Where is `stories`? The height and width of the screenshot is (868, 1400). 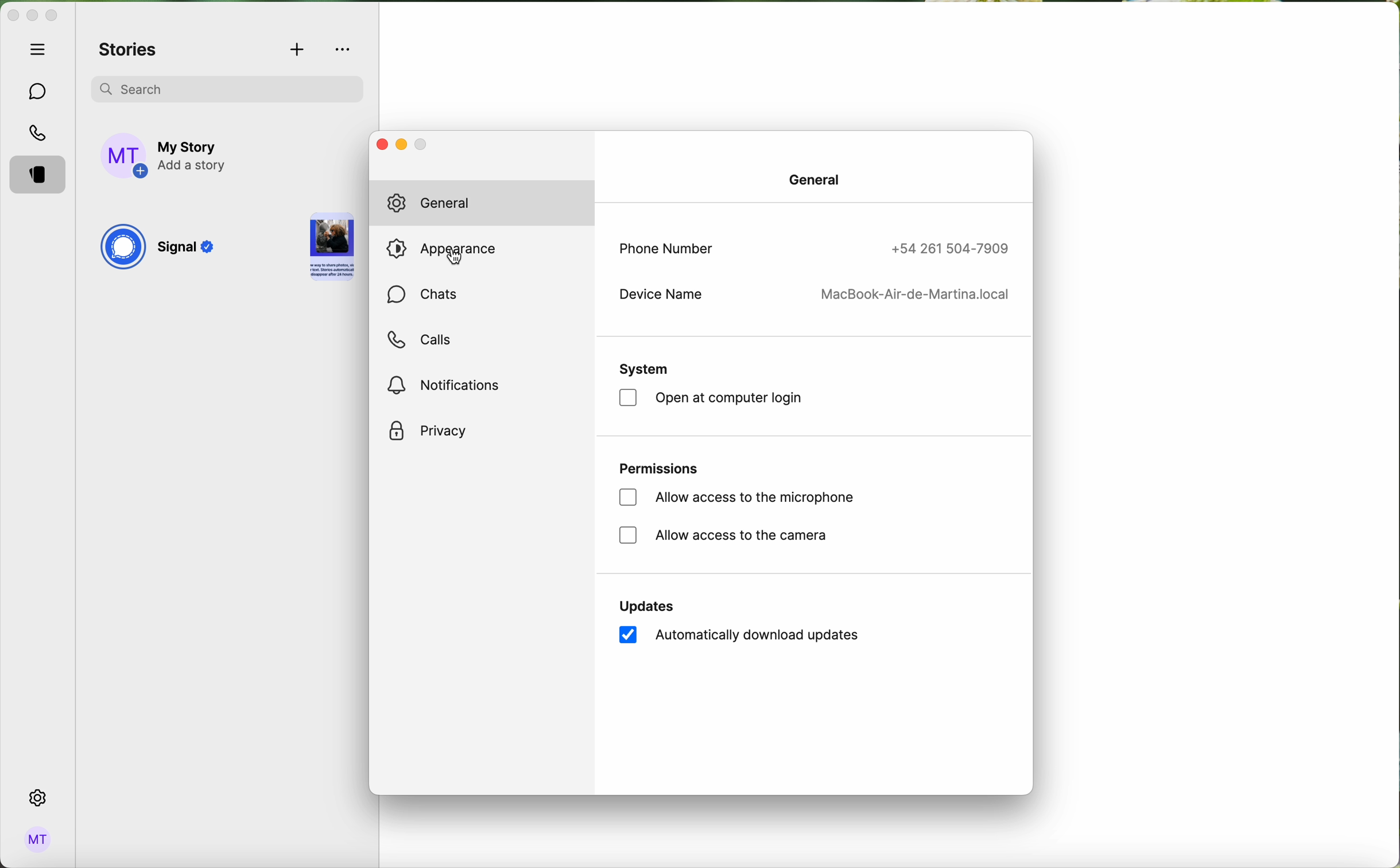 stories is located at coordinates (129, 51).